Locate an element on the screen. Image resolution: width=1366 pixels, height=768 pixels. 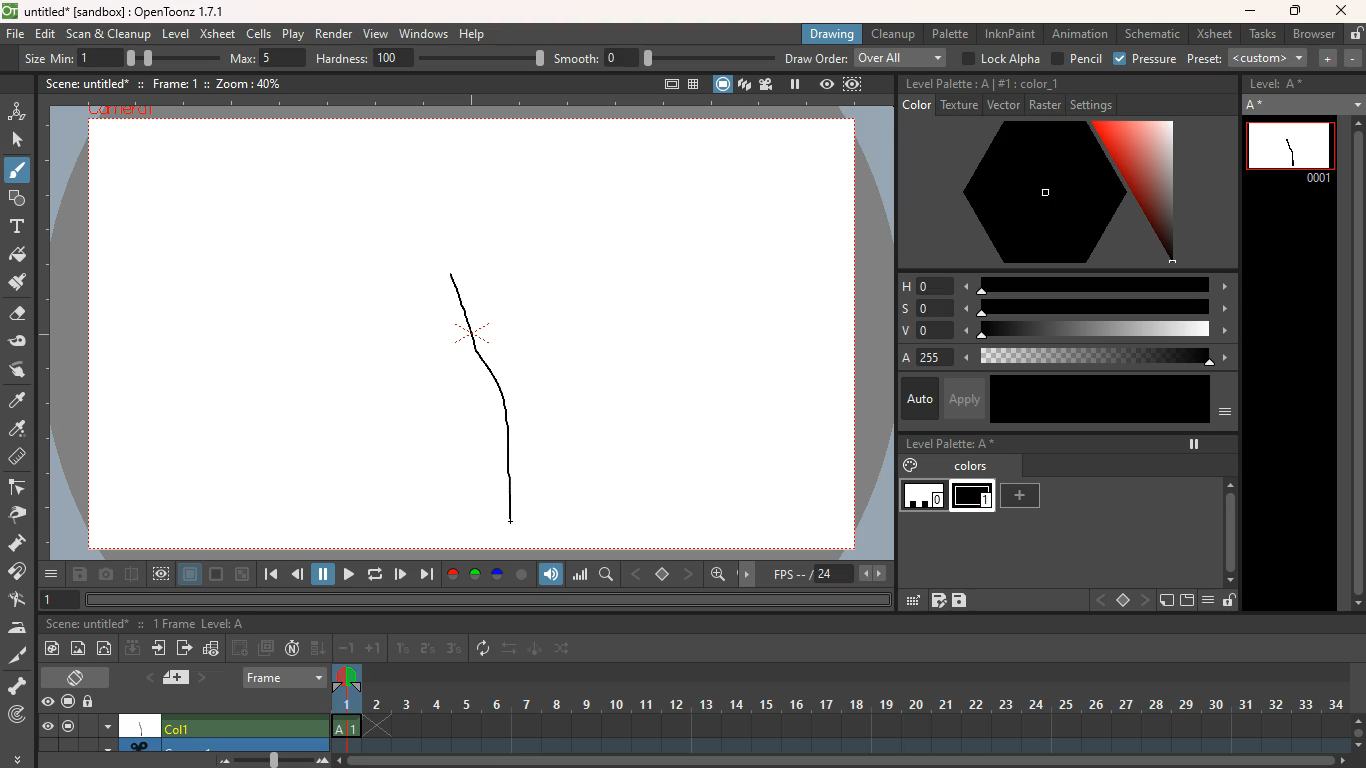
view is located at coordinates (162, 574).